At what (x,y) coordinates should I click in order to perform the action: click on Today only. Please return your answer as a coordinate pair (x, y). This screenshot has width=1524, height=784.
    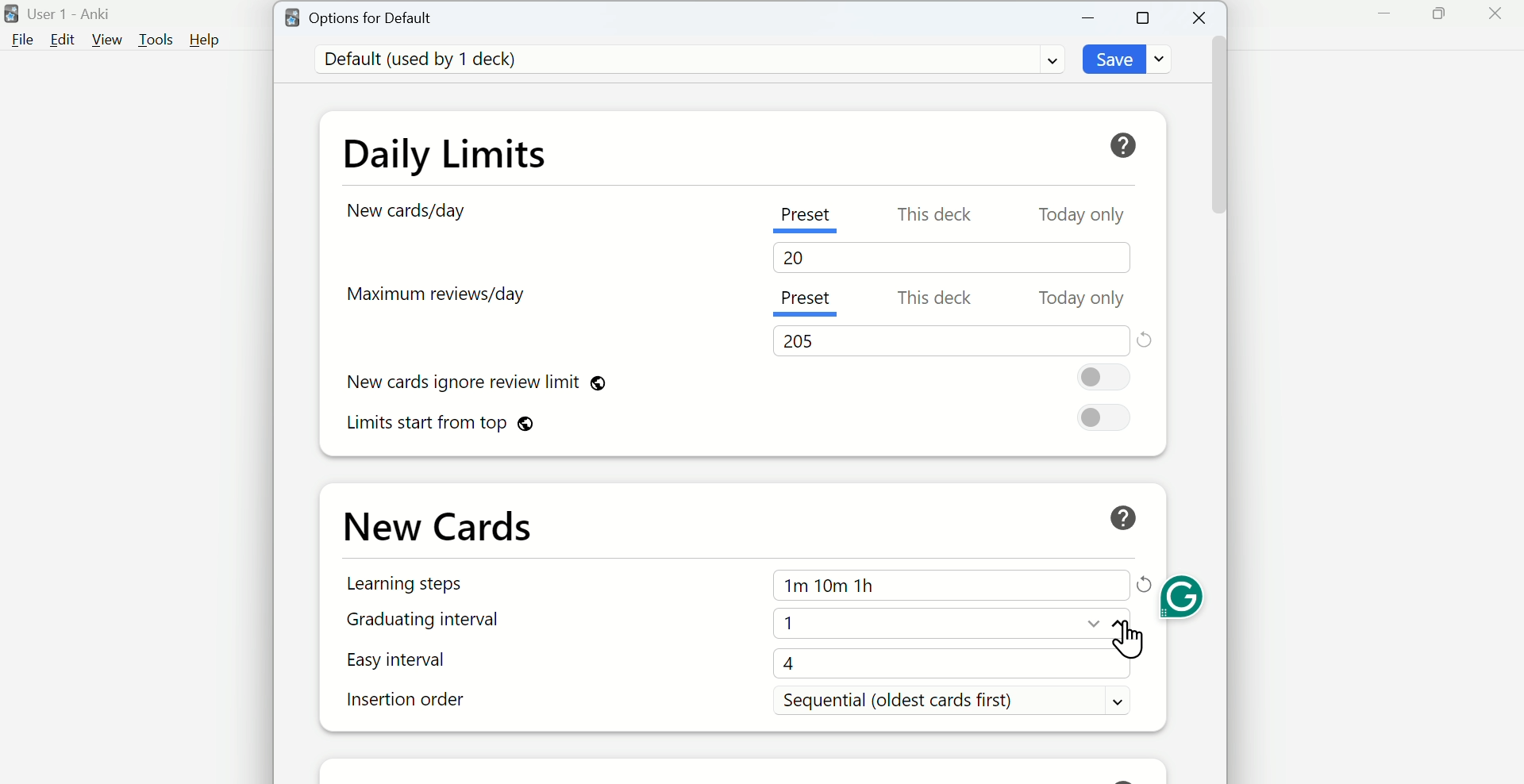
    Looking at the image, I should click on (1086, 298).